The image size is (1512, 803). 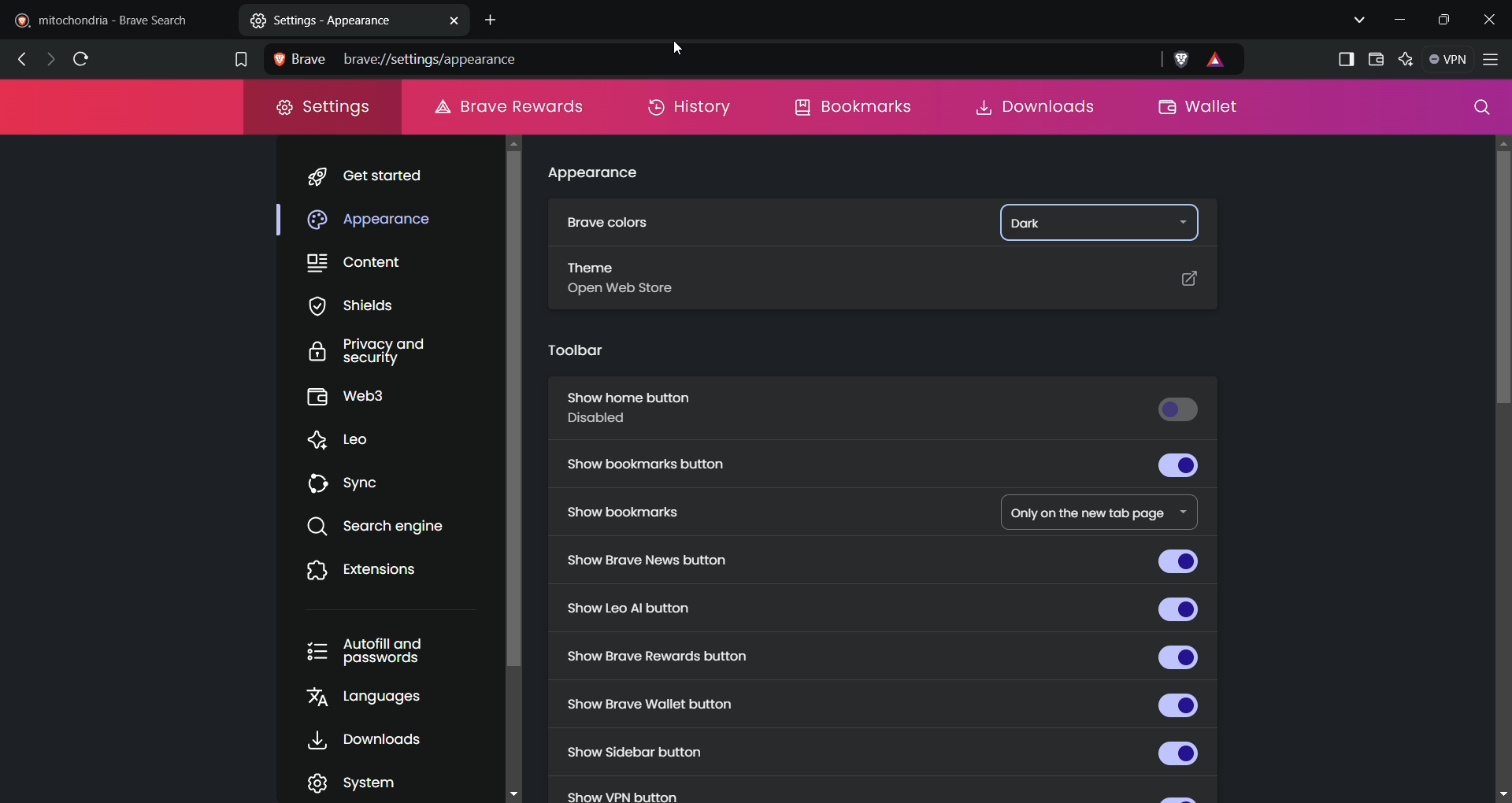 What do you see at coordinates (517, 409) in the screenshot?
I see `vertical scroll bar` at bounding box center [517, 409].